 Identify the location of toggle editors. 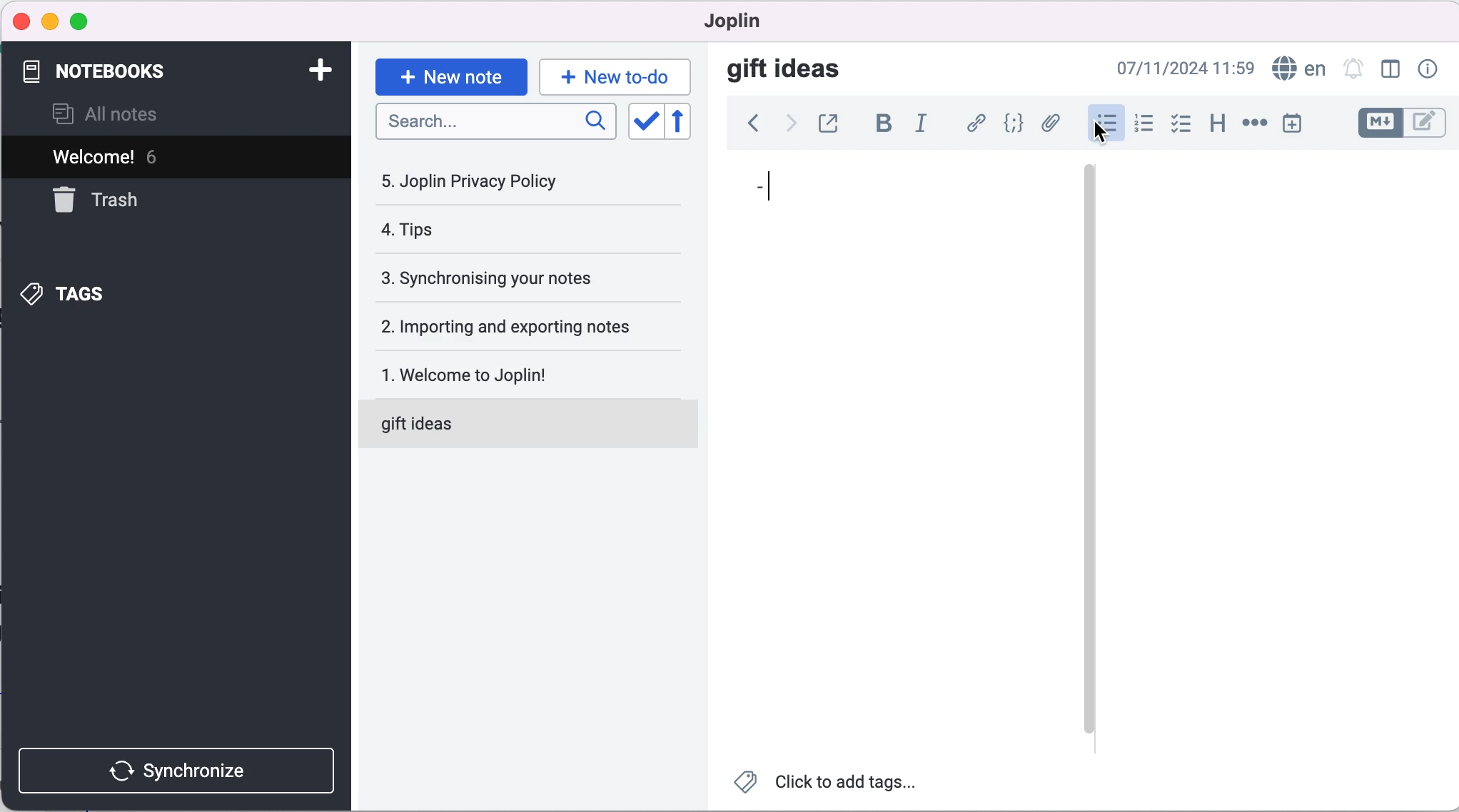
(1400, 123).